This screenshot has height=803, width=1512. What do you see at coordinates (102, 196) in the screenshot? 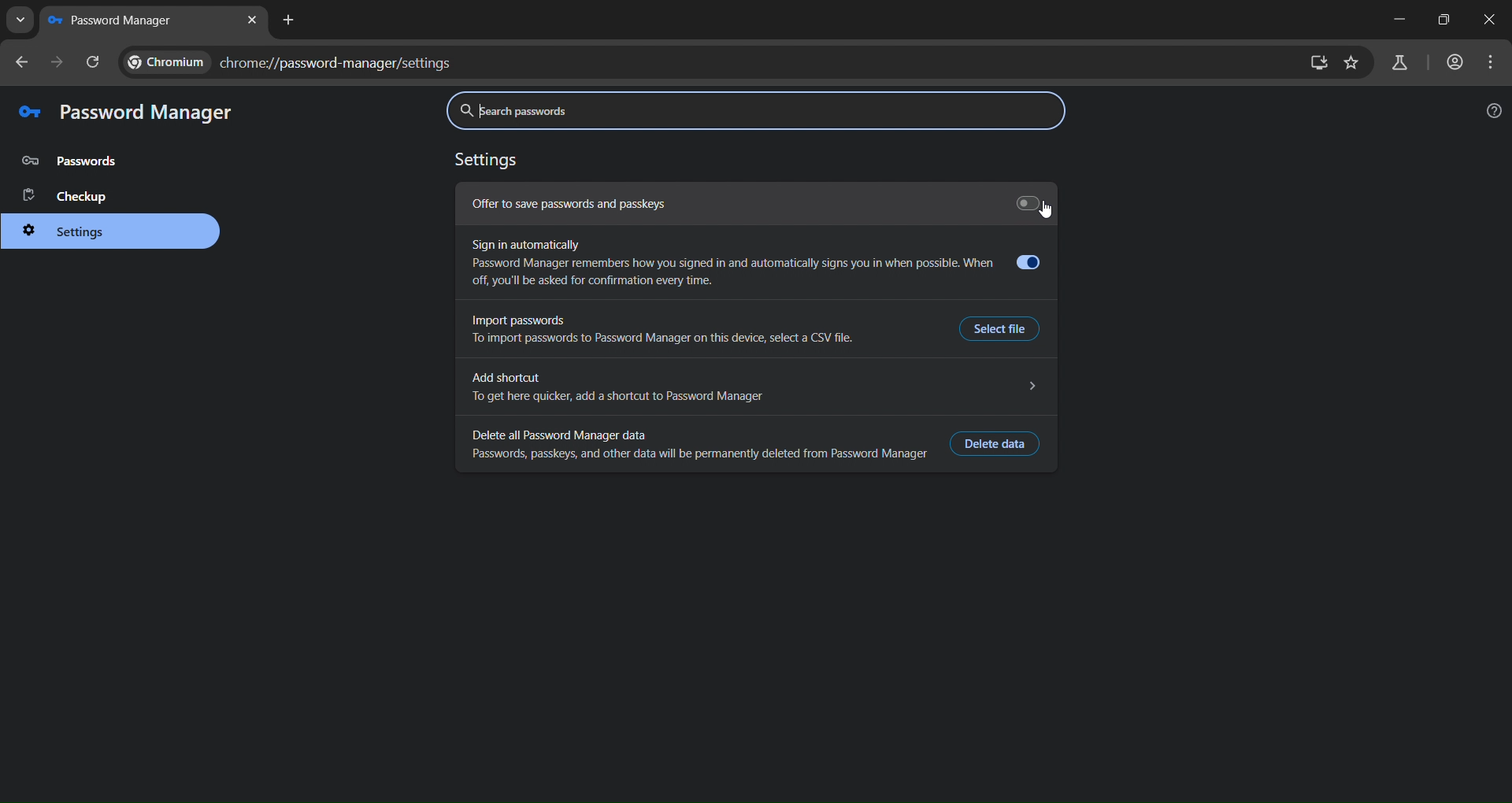
I see `checkup` at bounding box center [102, 196].